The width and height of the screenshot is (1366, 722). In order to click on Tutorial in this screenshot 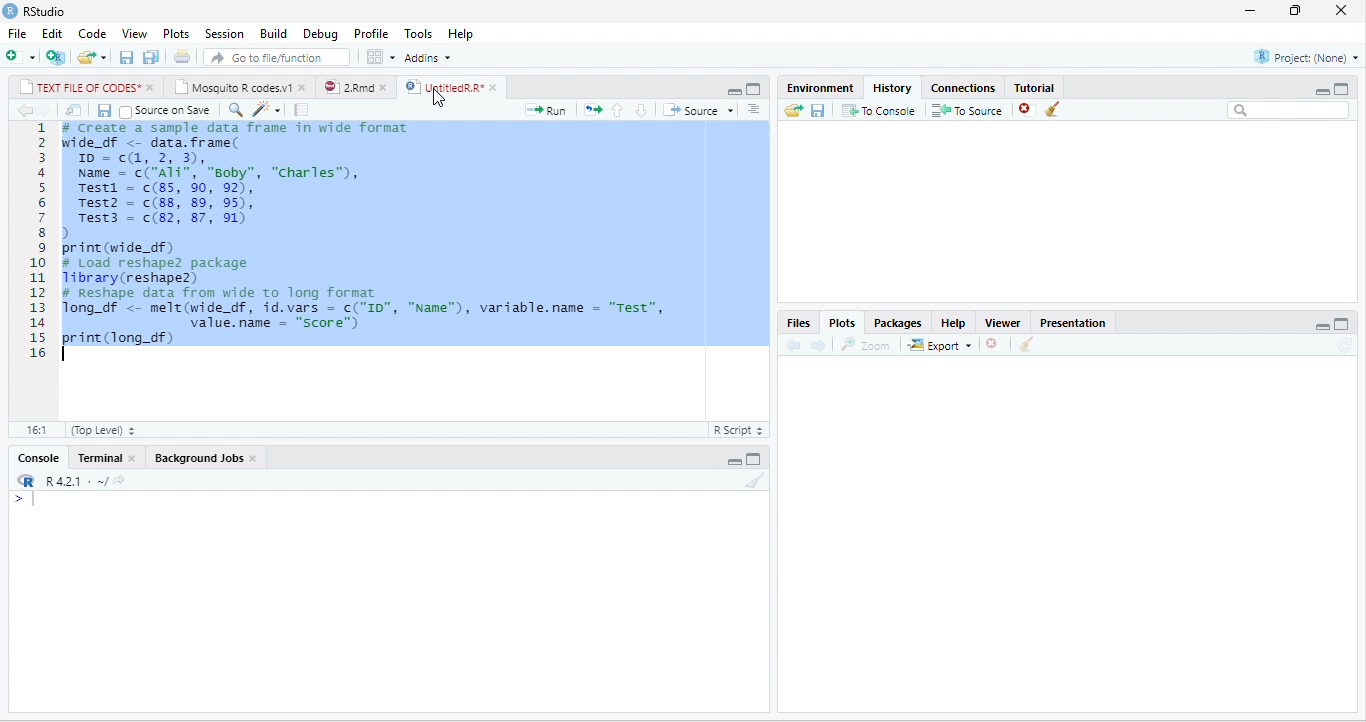, I will do `click(1034, 87)`.